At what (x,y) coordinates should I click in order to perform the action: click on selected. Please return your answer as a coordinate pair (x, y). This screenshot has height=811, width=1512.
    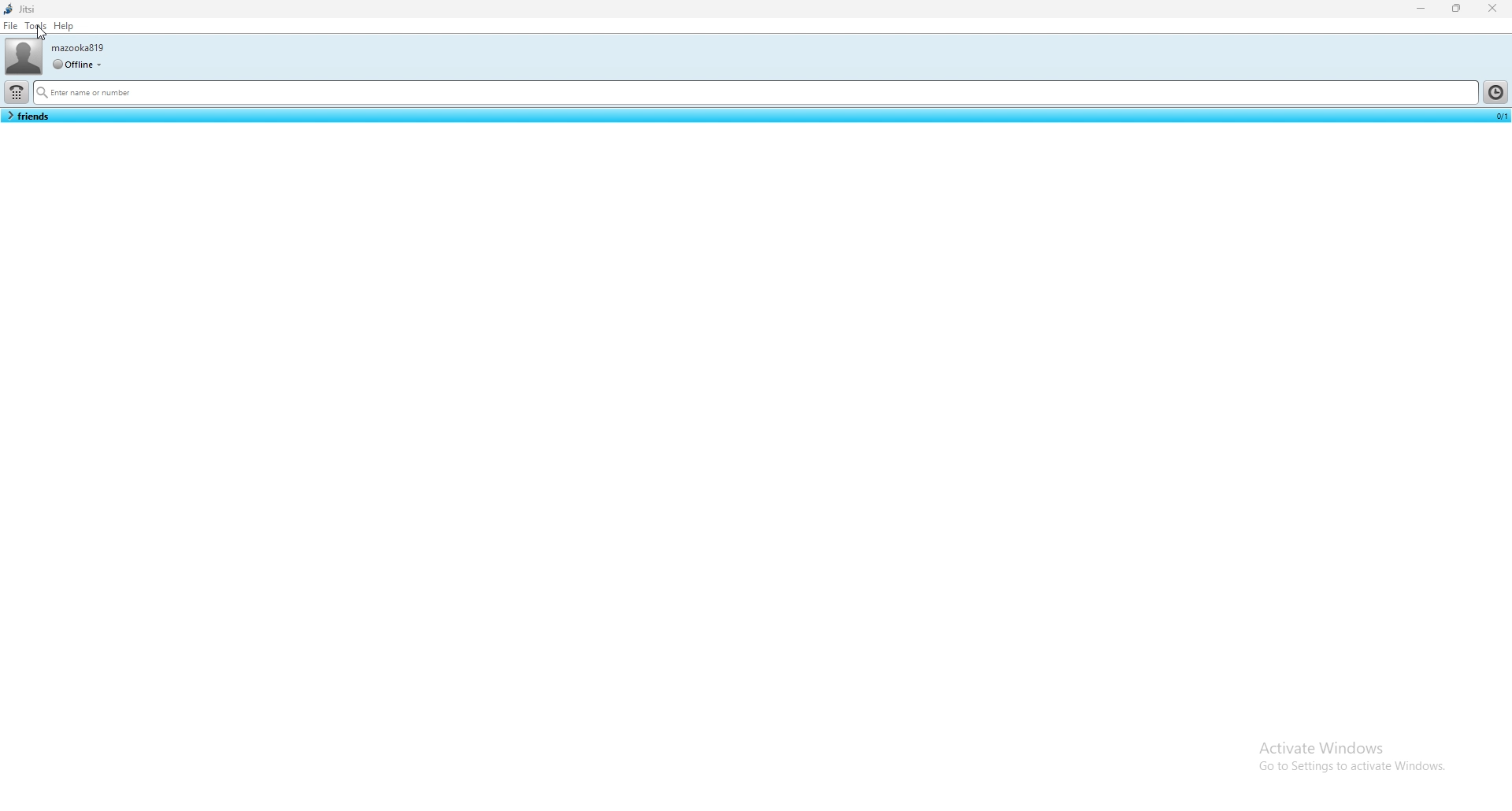
    Looking at the image, I should click on (1499, 115).